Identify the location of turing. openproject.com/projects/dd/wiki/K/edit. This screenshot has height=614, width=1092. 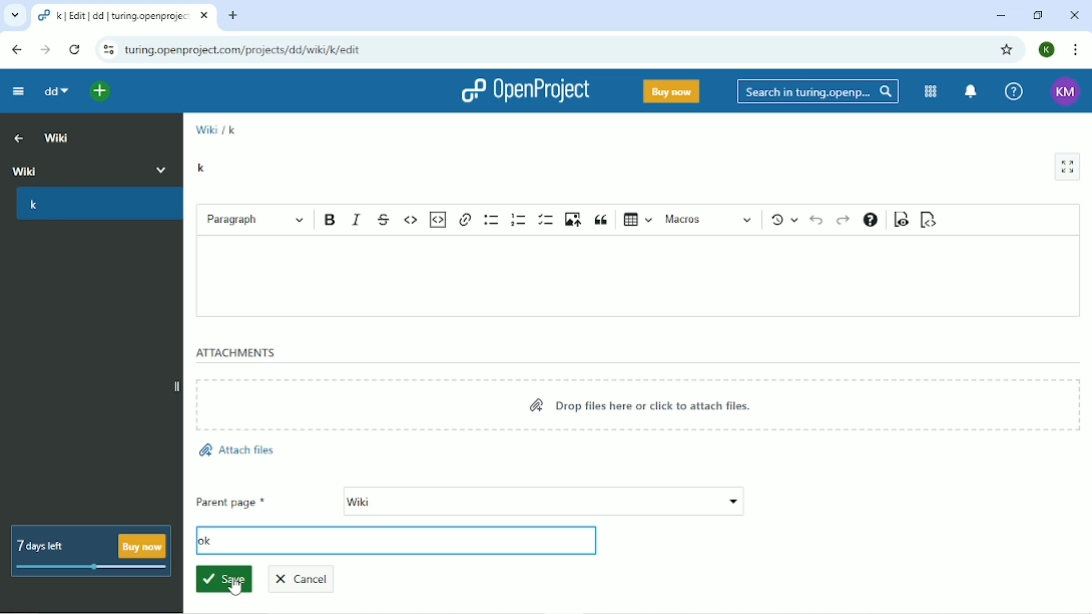
(250, 53).